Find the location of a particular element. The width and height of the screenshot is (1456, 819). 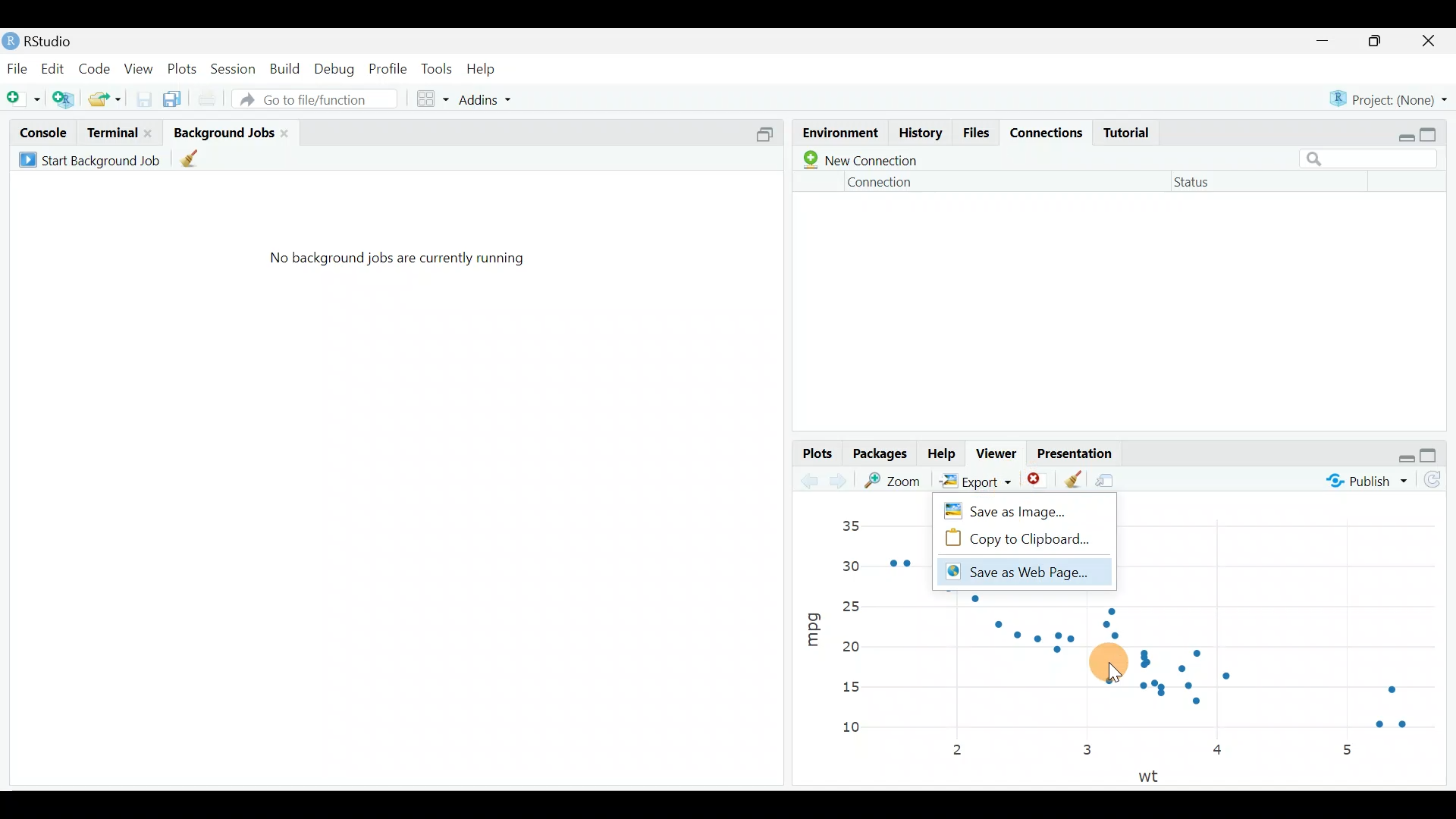

Refresh viewer is located at coordinates (1439, 482).